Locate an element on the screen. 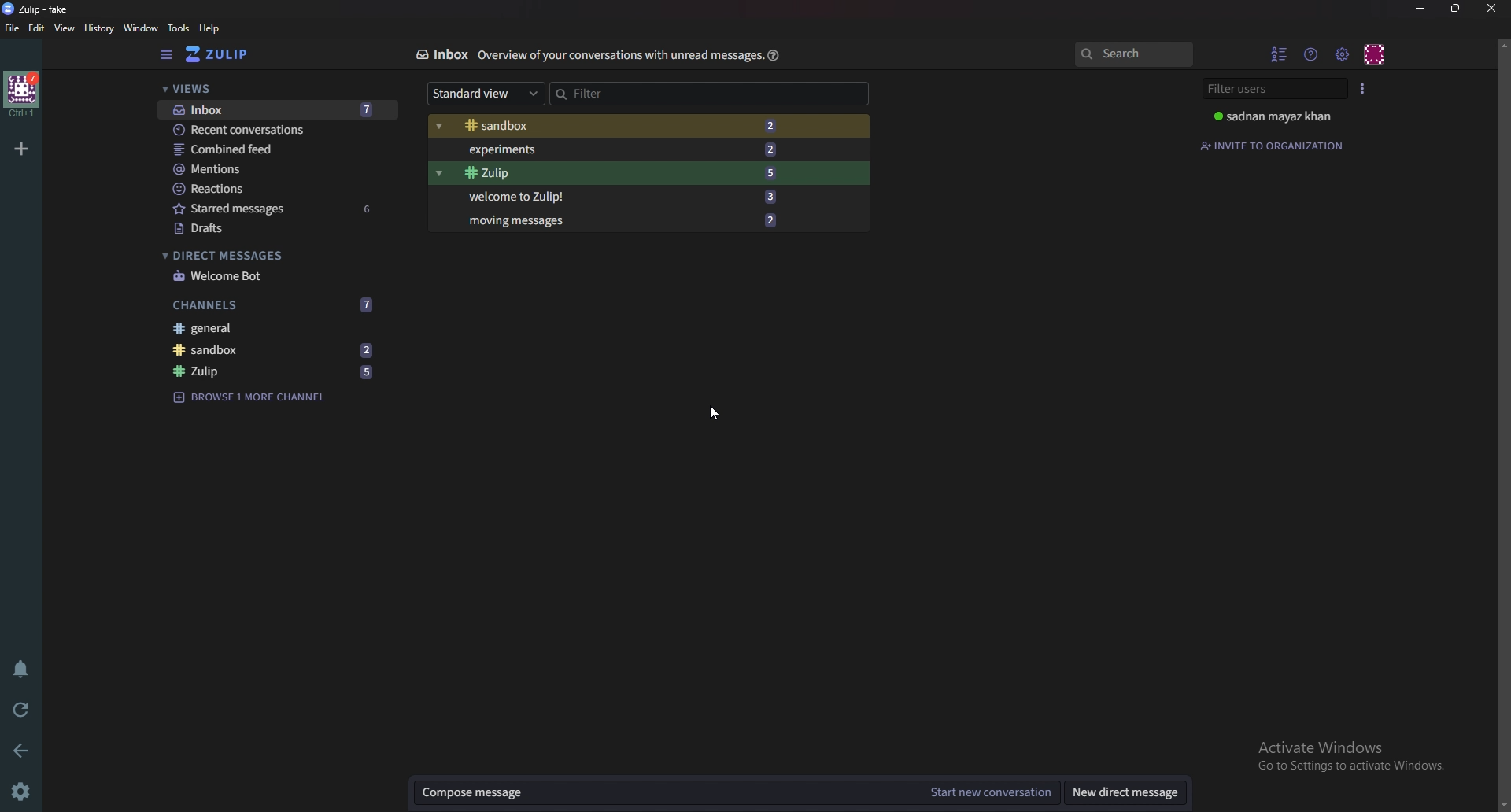  New direct message is located at coordinates (1125, 794).